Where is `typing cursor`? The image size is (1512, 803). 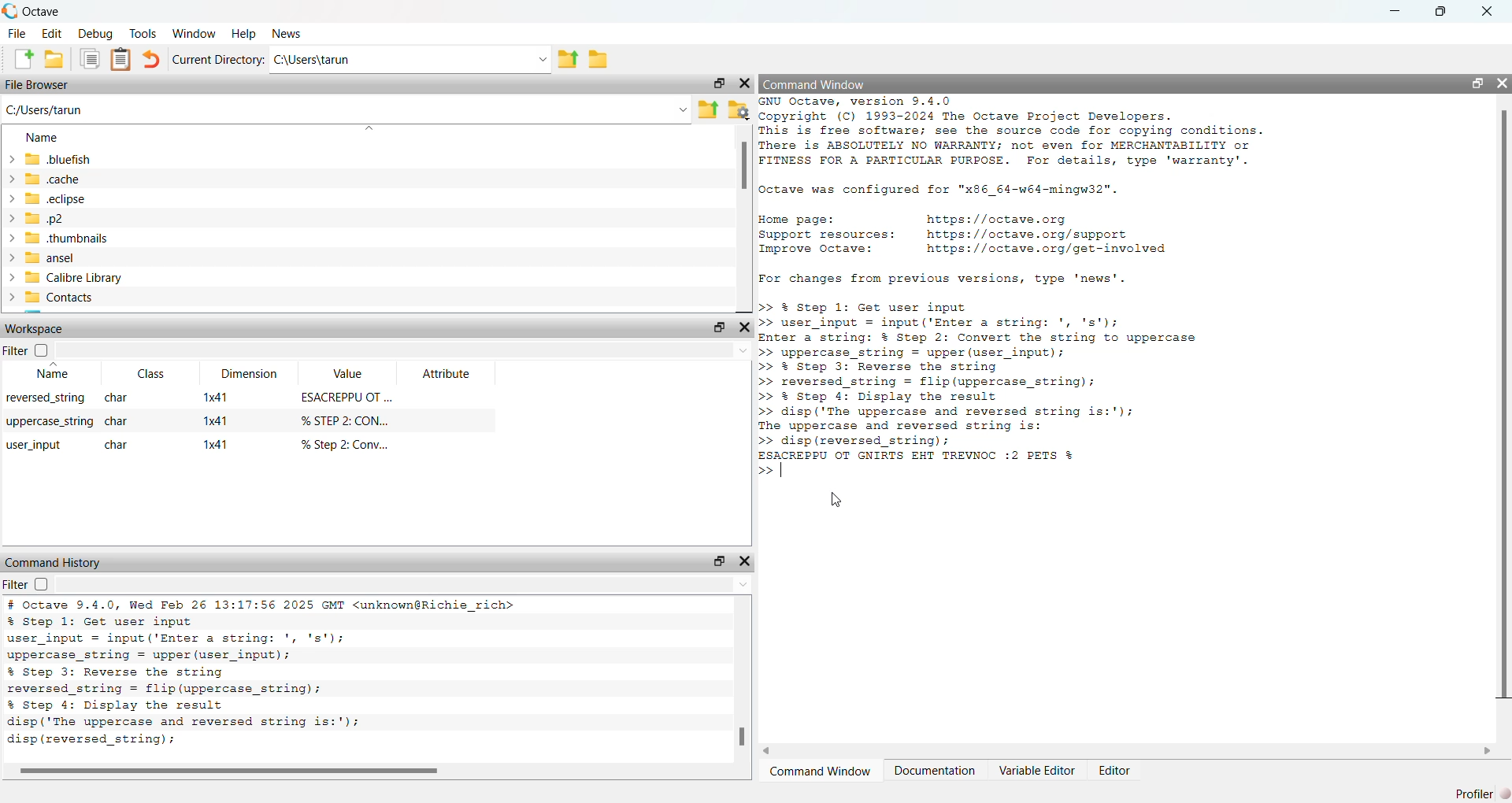
typing cursor is located at coordinates (787, 471).